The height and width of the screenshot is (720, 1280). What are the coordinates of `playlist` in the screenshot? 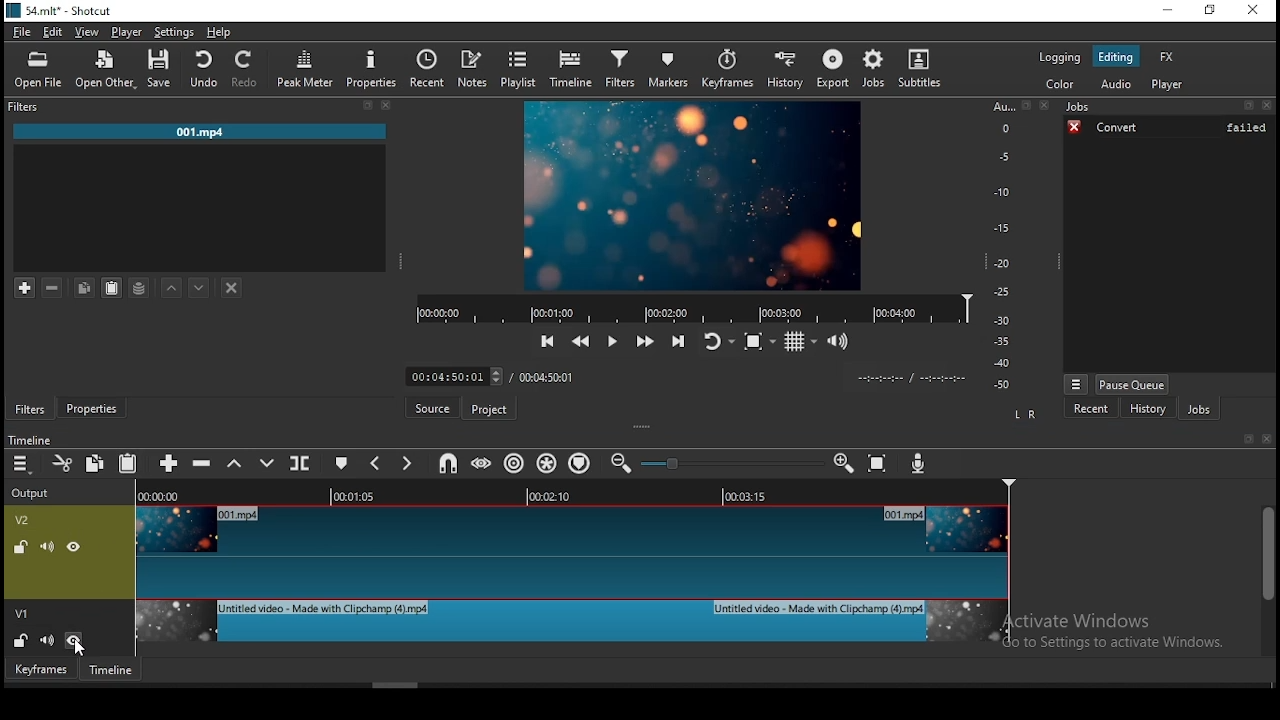 It's located at (519, 66).